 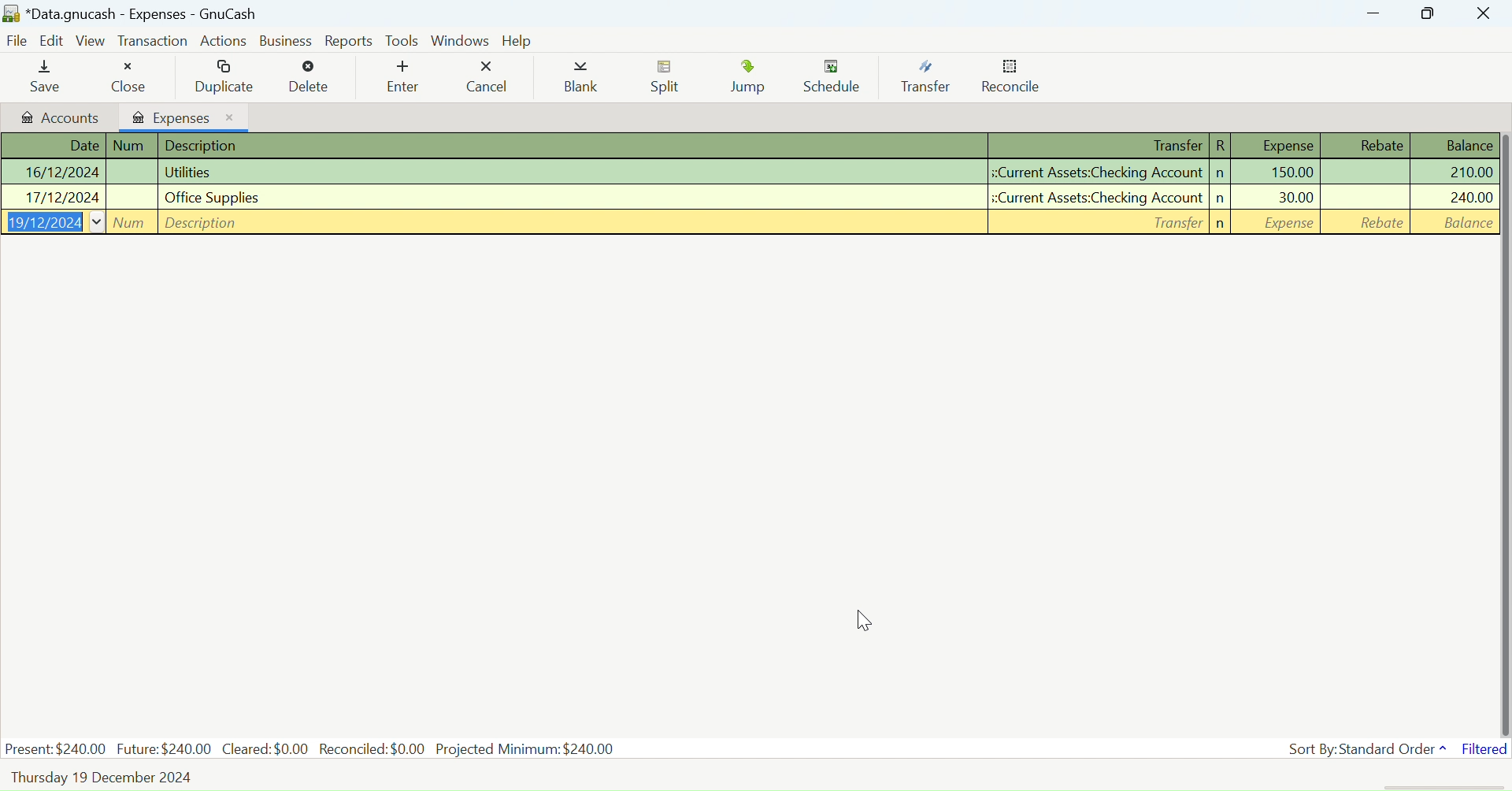 I want to click on Close, so click(x=133, y=77).